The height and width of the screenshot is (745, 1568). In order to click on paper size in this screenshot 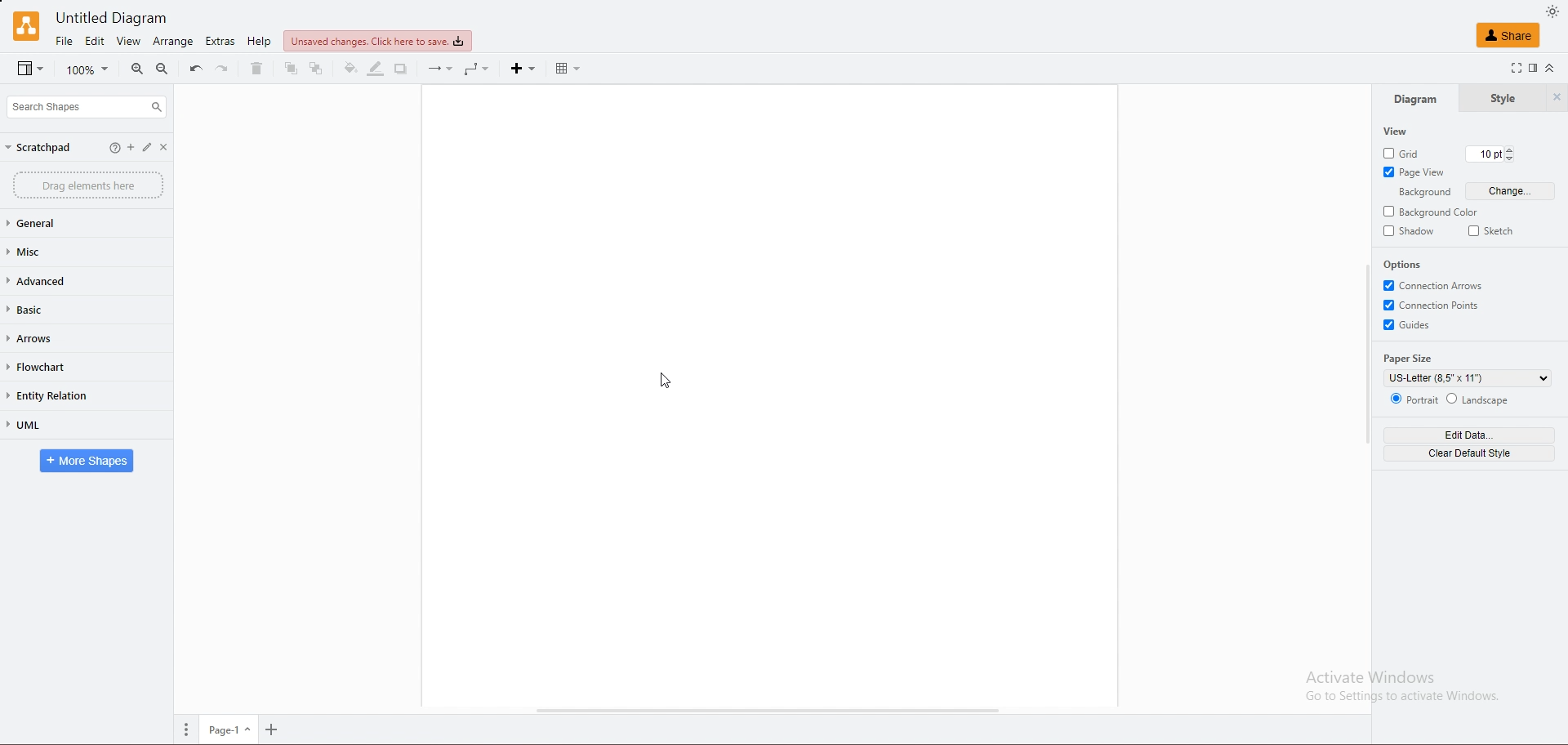, I will do `click(1411, 358)`.